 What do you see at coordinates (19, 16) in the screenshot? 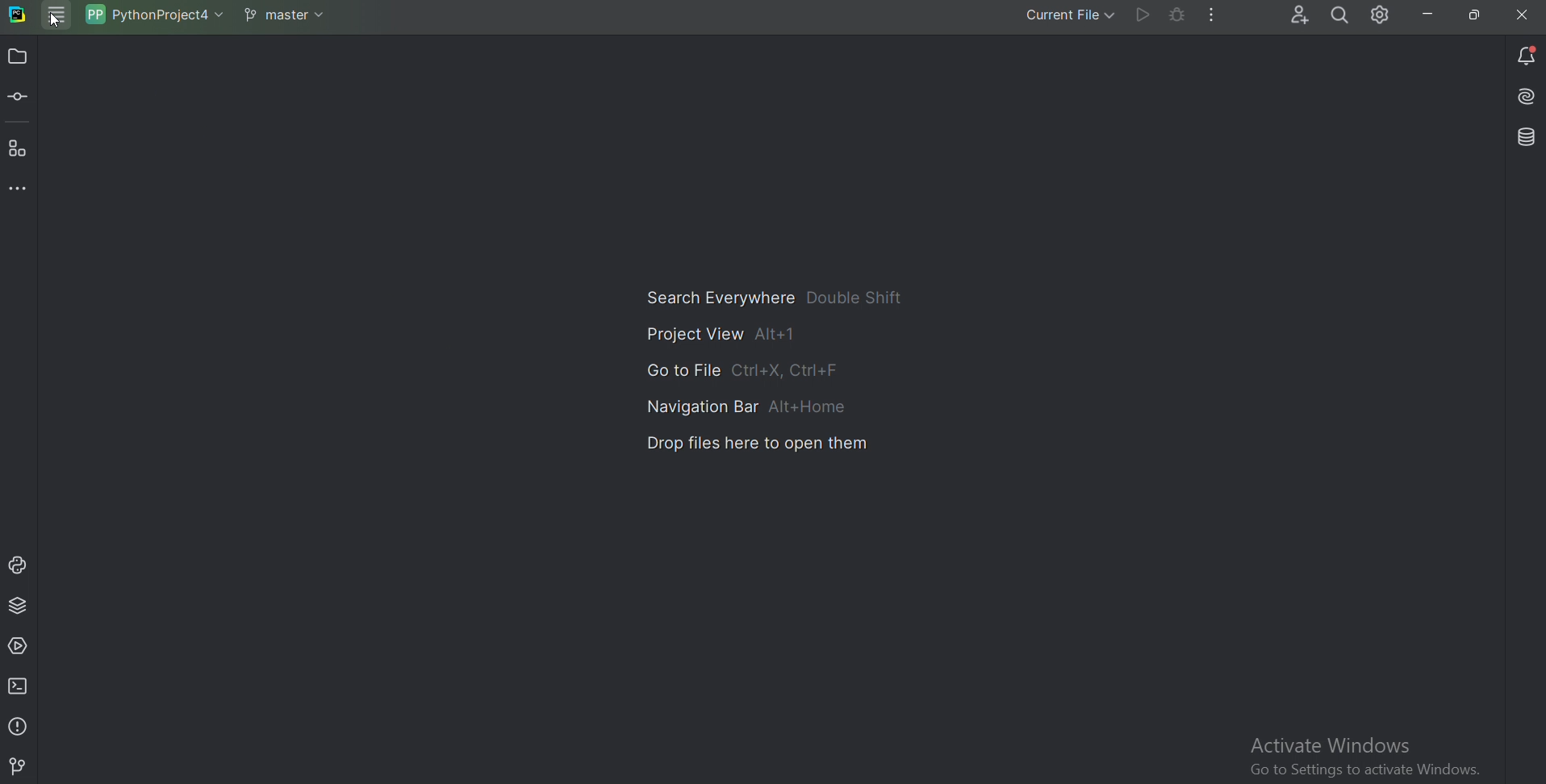
I see `Pycharm` at bounding box center [19, 16].